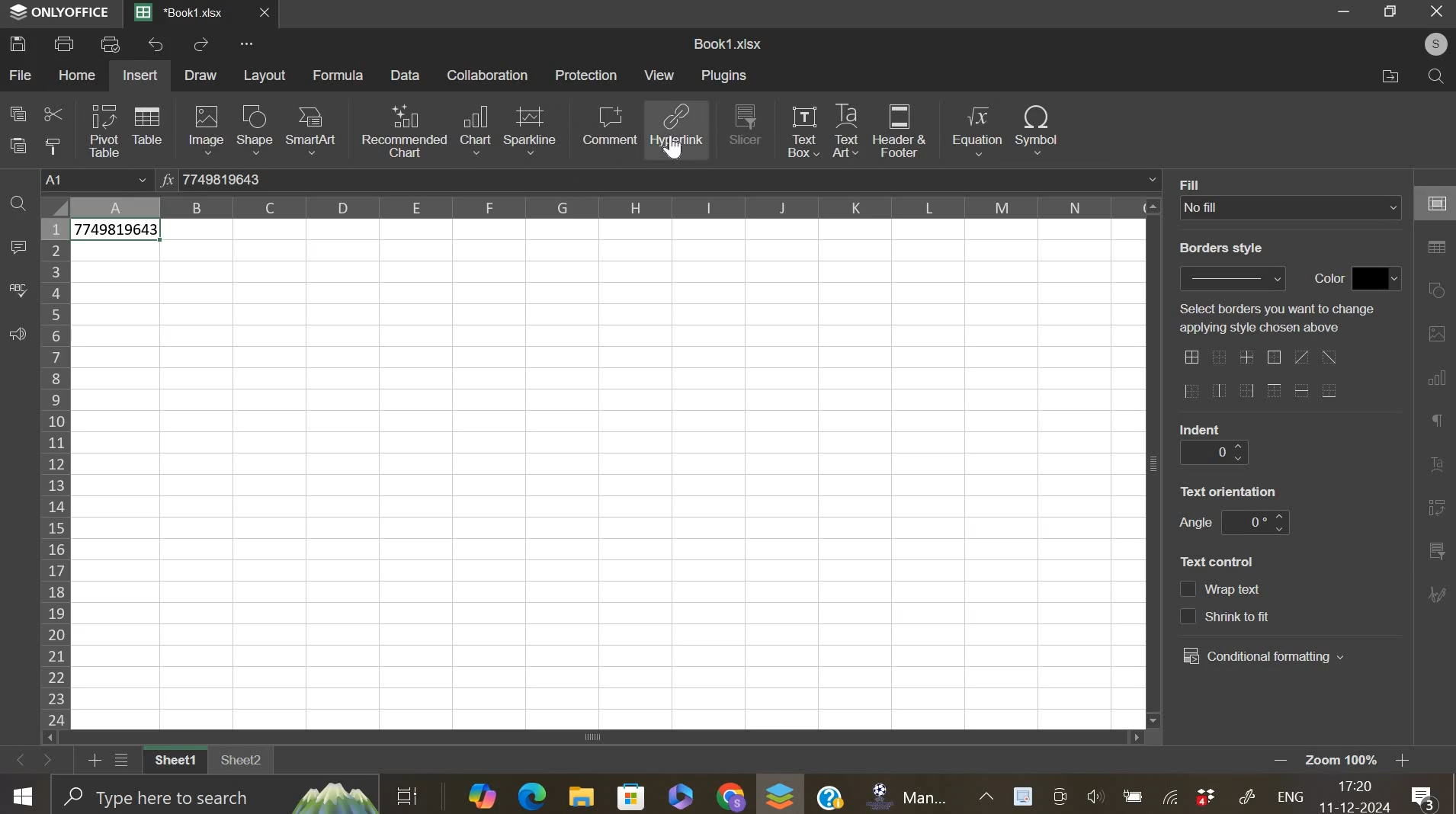 Image resolution: width=1456 pixels, height=814 pixels. Describe the element at coordinates (601, 738) in the screenshot. I see `scroll bar` at that location.